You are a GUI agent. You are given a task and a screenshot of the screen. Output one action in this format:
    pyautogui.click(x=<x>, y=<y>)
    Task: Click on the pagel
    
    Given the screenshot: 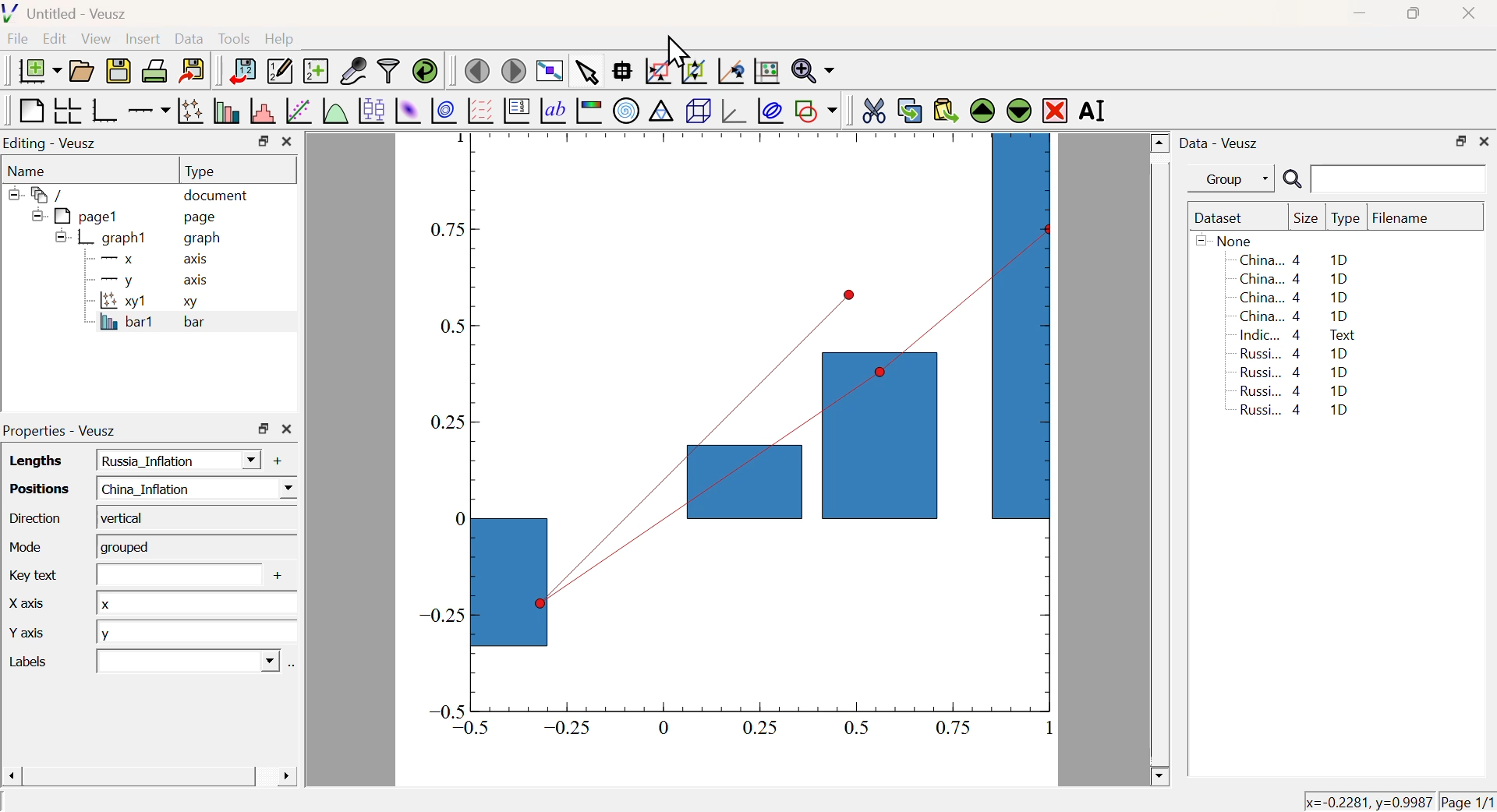 What is the action you would take?
    pyautogui.click(x=71, y=217)
    